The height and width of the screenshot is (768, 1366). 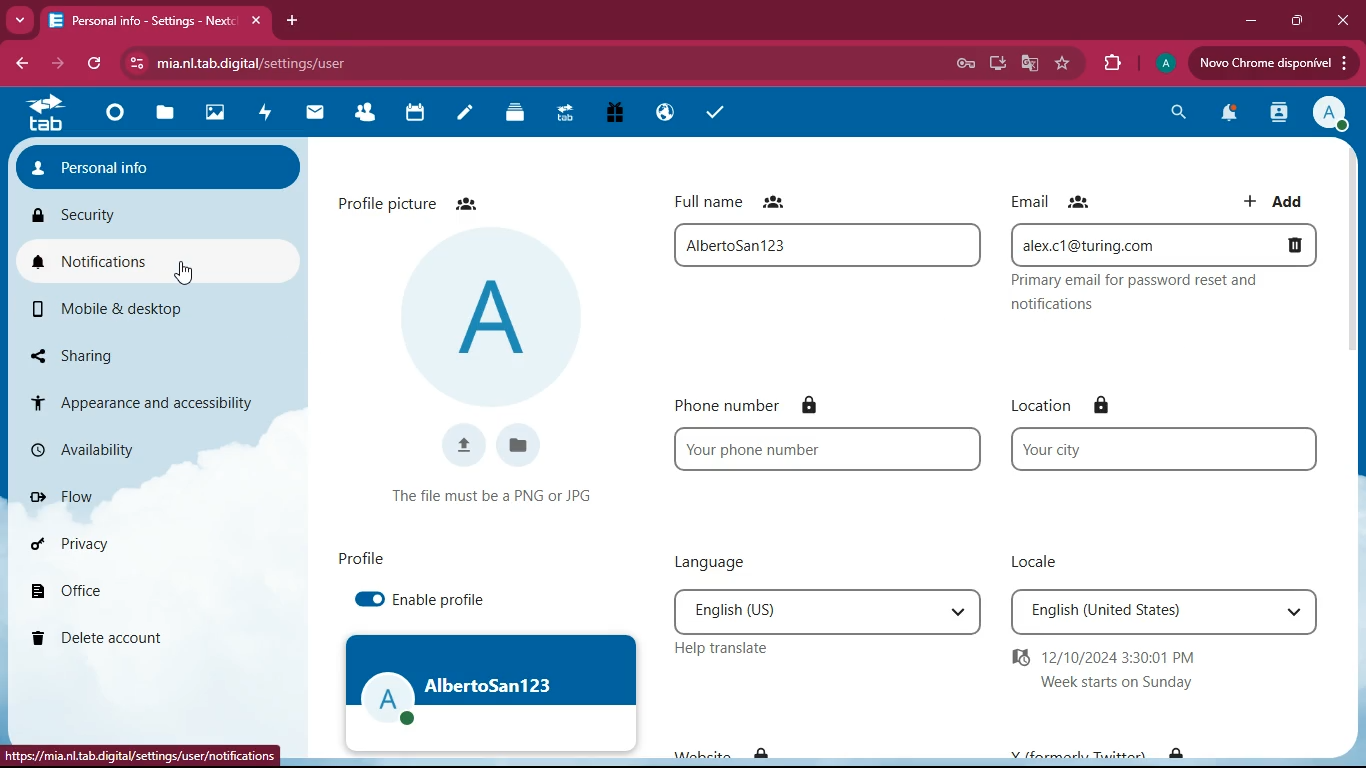 I want to click on langugage, so click(x=827, y=612).